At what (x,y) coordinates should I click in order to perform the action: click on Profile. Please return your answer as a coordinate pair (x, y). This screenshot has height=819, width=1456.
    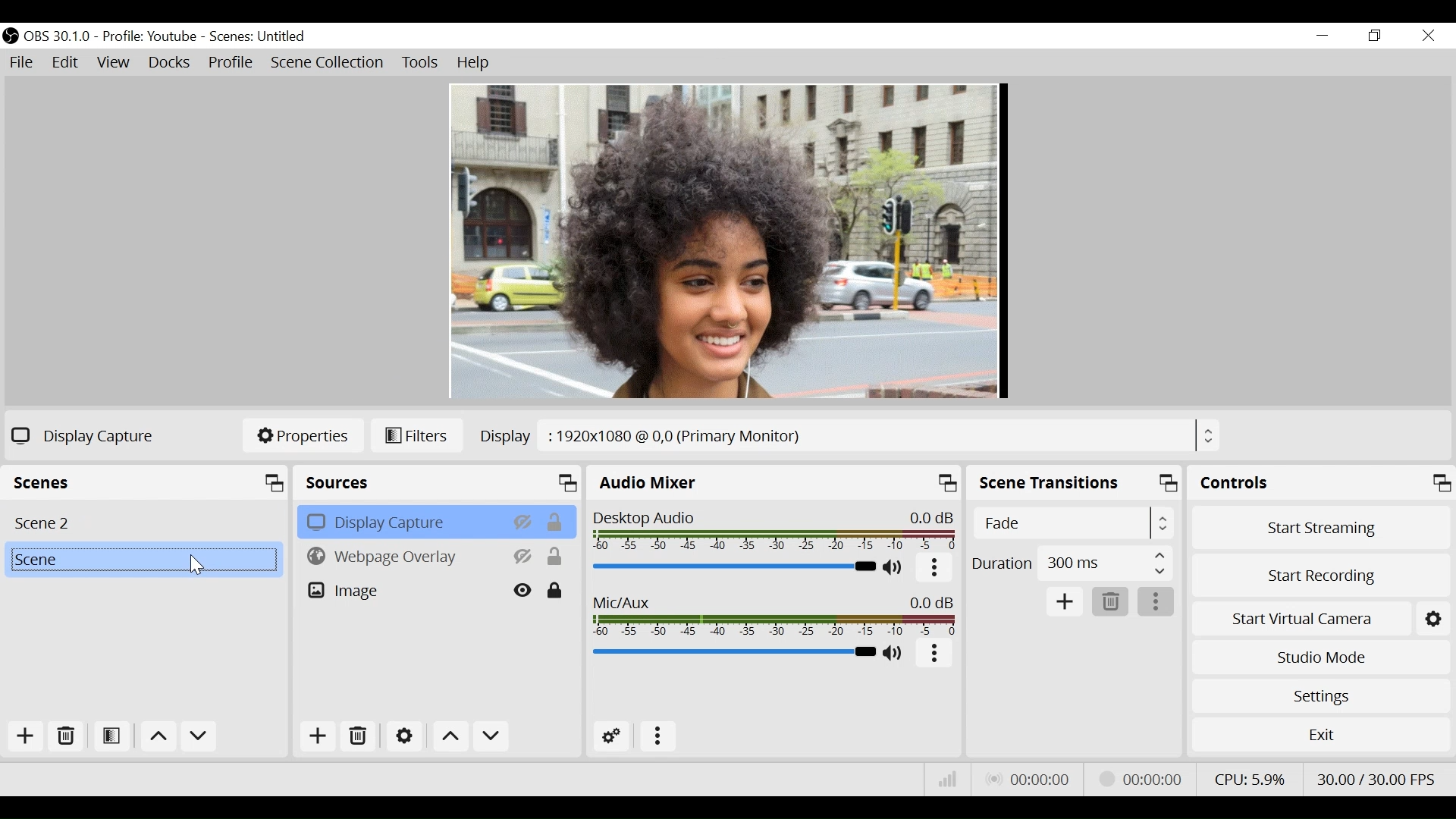
    Looking at the image, I should click on (231, 64).